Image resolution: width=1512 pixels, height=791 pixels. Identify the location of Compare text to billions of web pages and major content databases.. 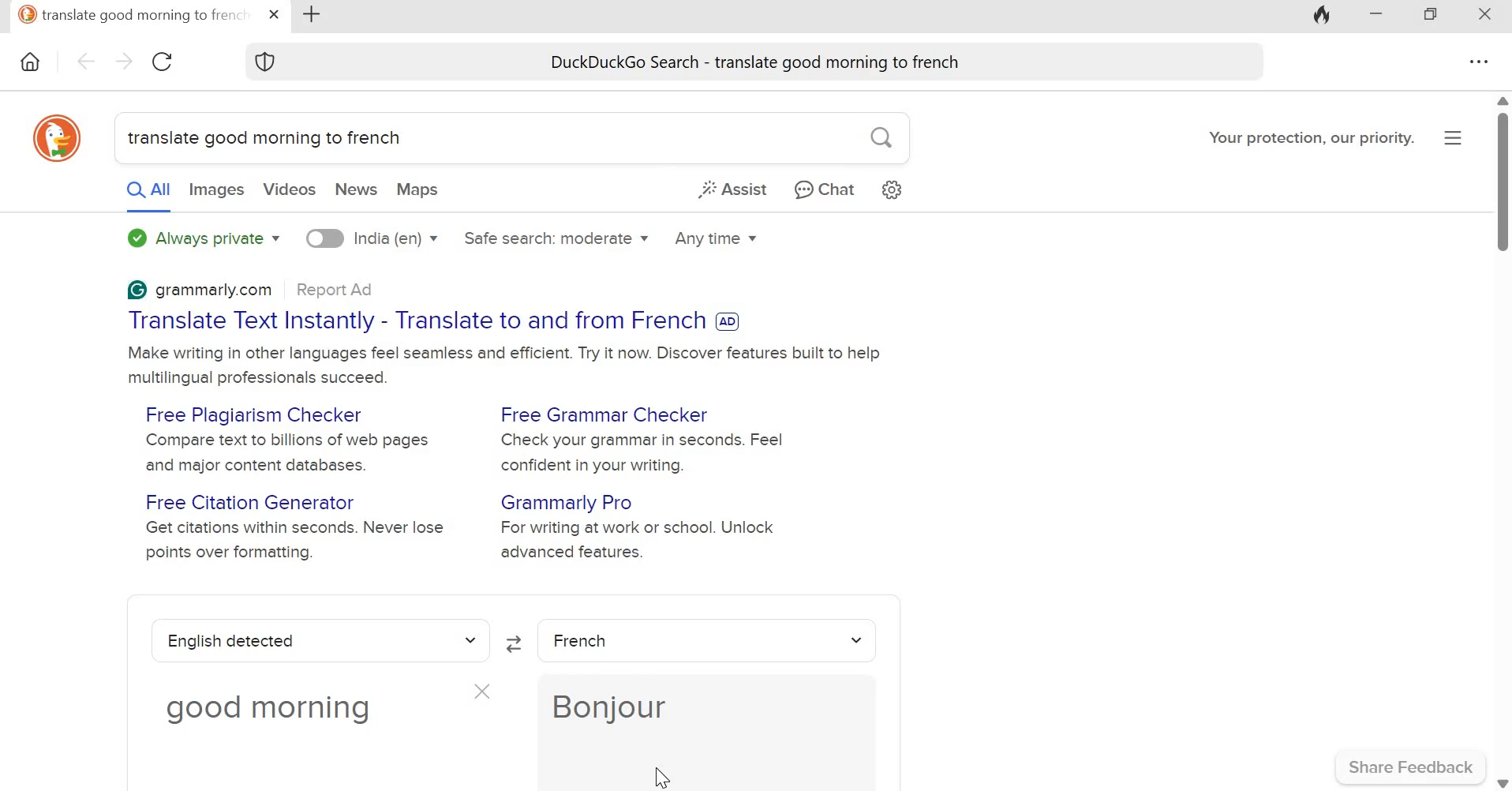
(294, 453).